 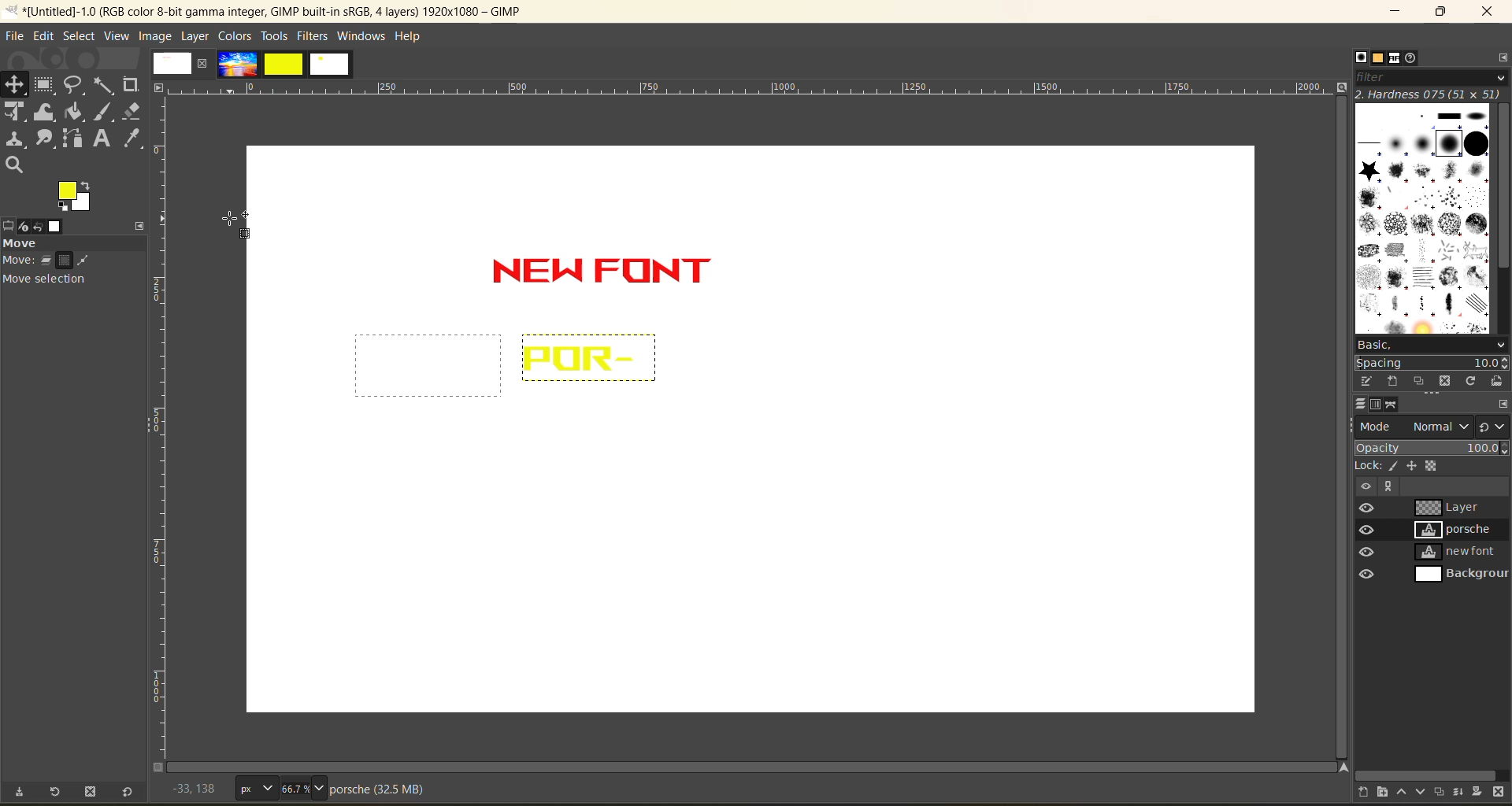 I want to click on mode, so click(x=1412, y=427).